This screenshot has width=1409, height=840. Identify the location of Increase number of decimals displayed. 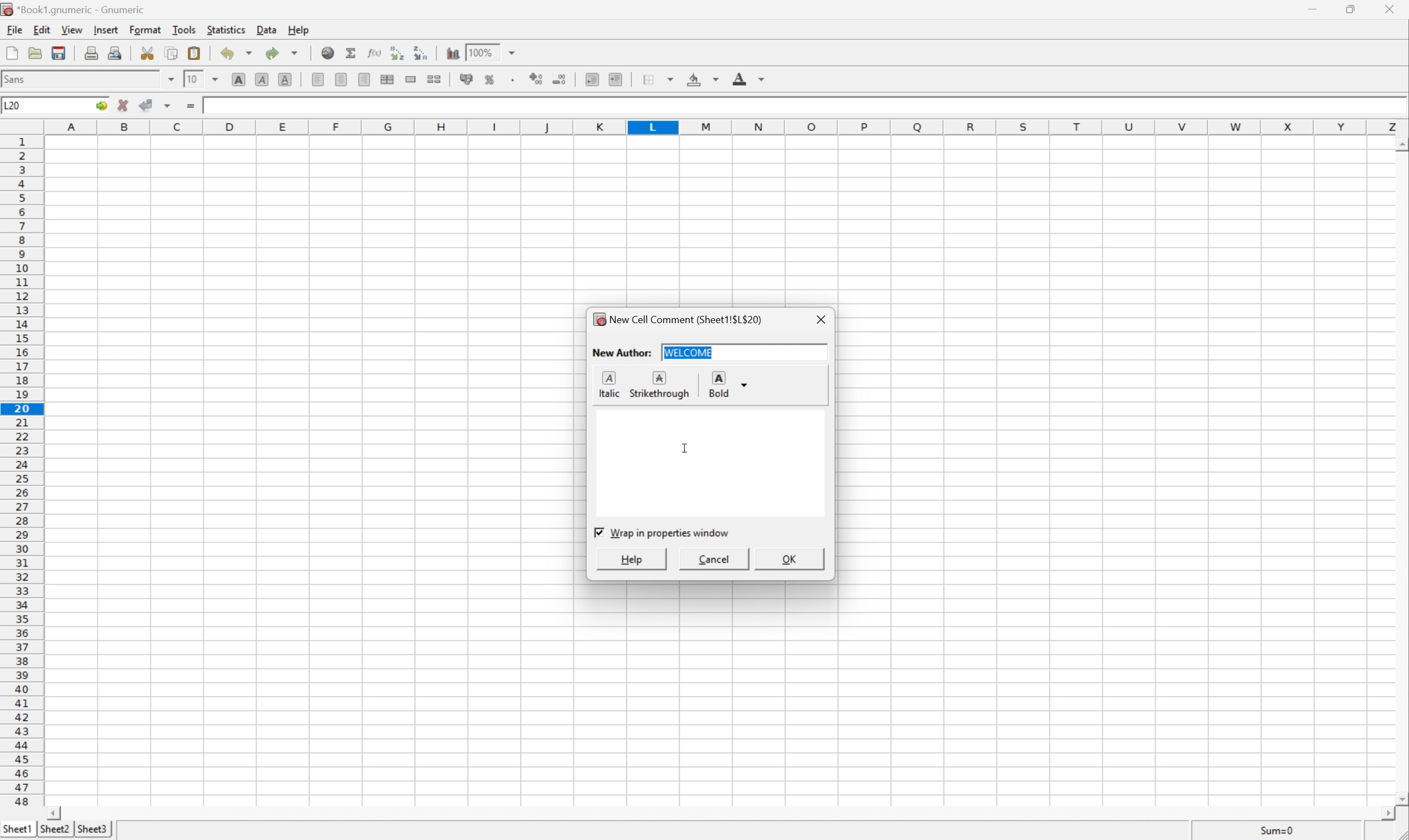
(537, 79).